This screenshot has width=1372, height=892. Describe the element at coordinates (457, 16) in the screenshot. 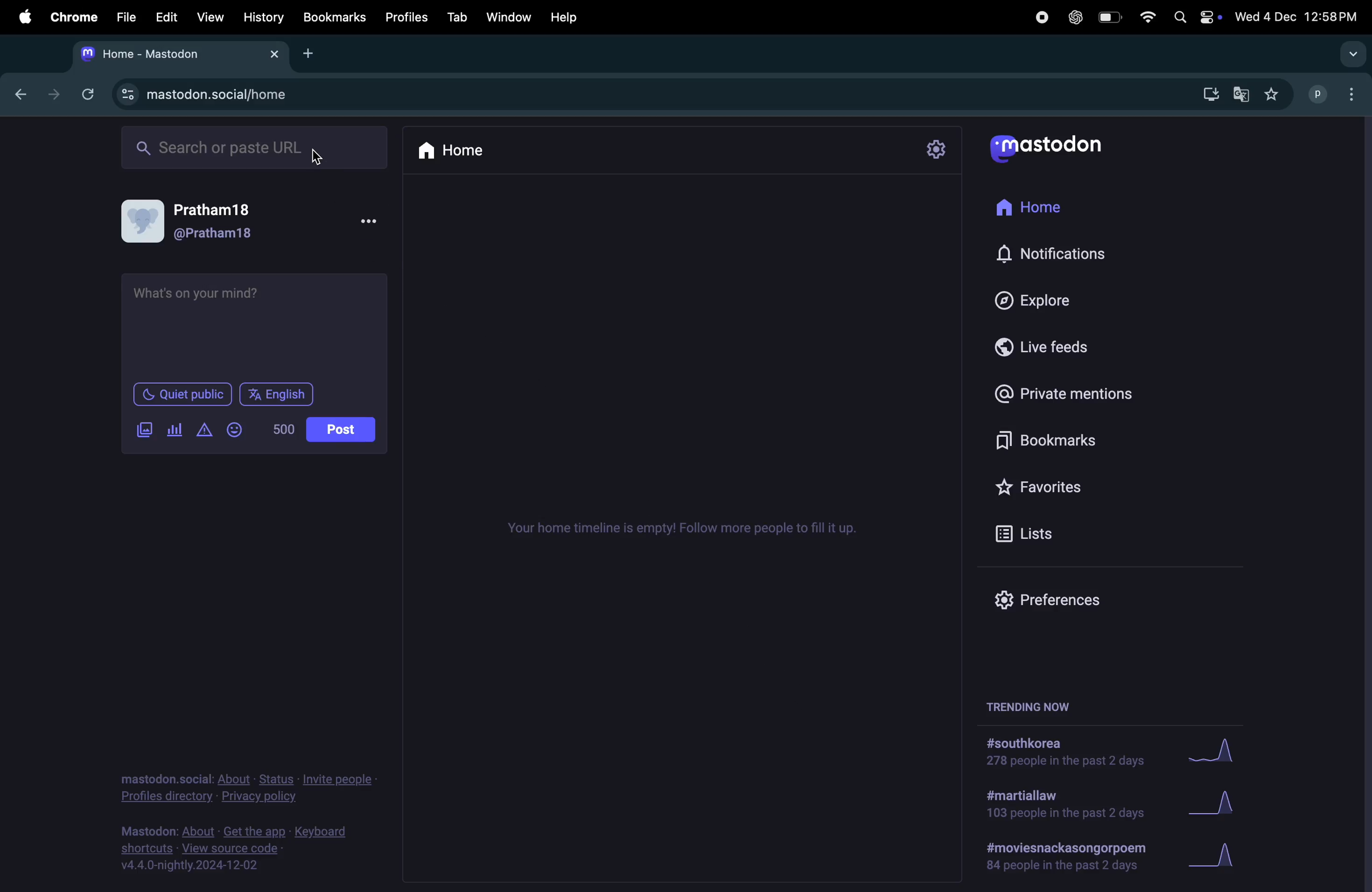

I see `Tab` at that location.